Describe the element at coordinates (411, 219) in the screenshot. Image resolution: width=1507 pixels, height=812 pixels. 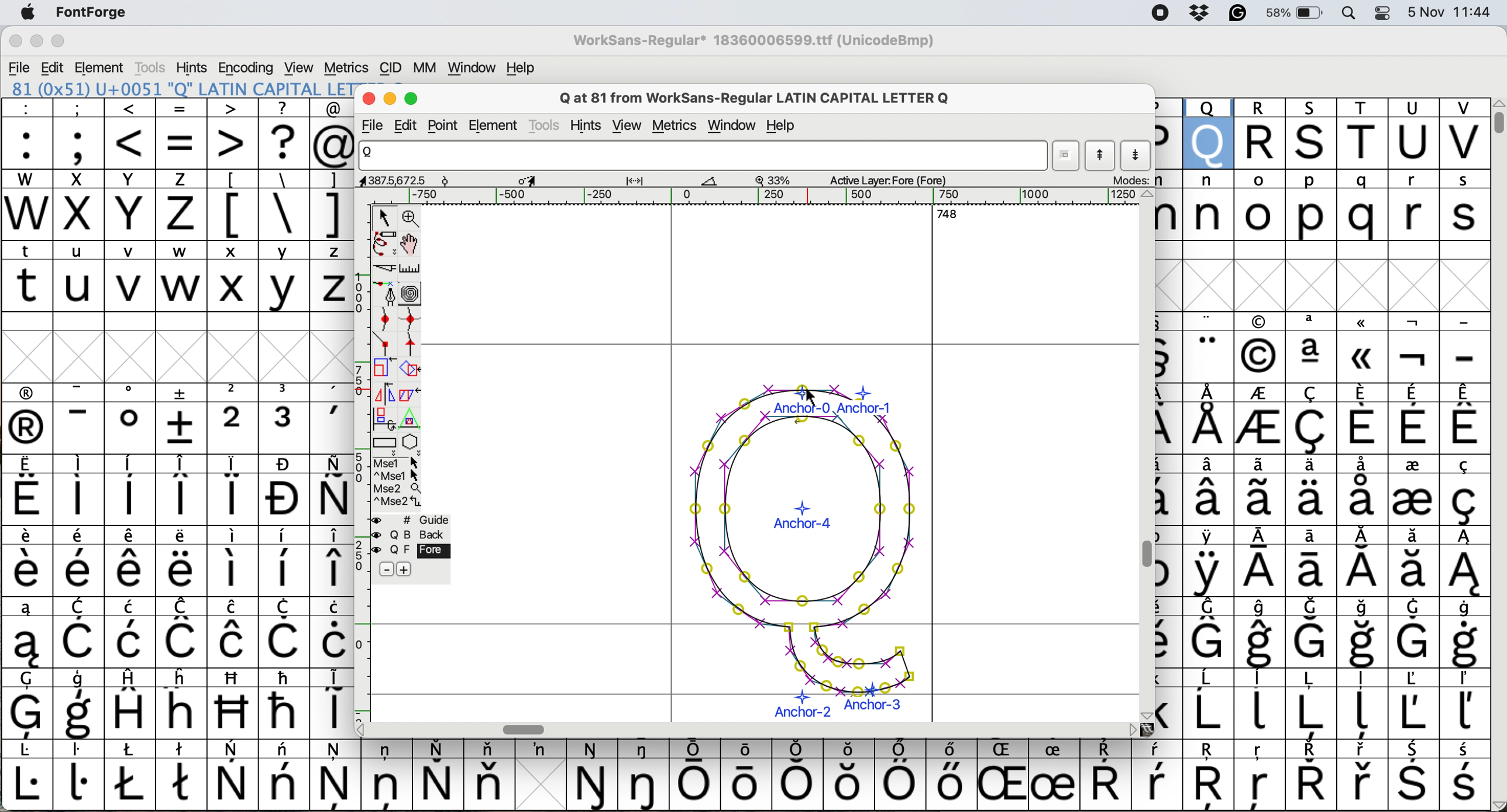
I see `zoom in` at that location.